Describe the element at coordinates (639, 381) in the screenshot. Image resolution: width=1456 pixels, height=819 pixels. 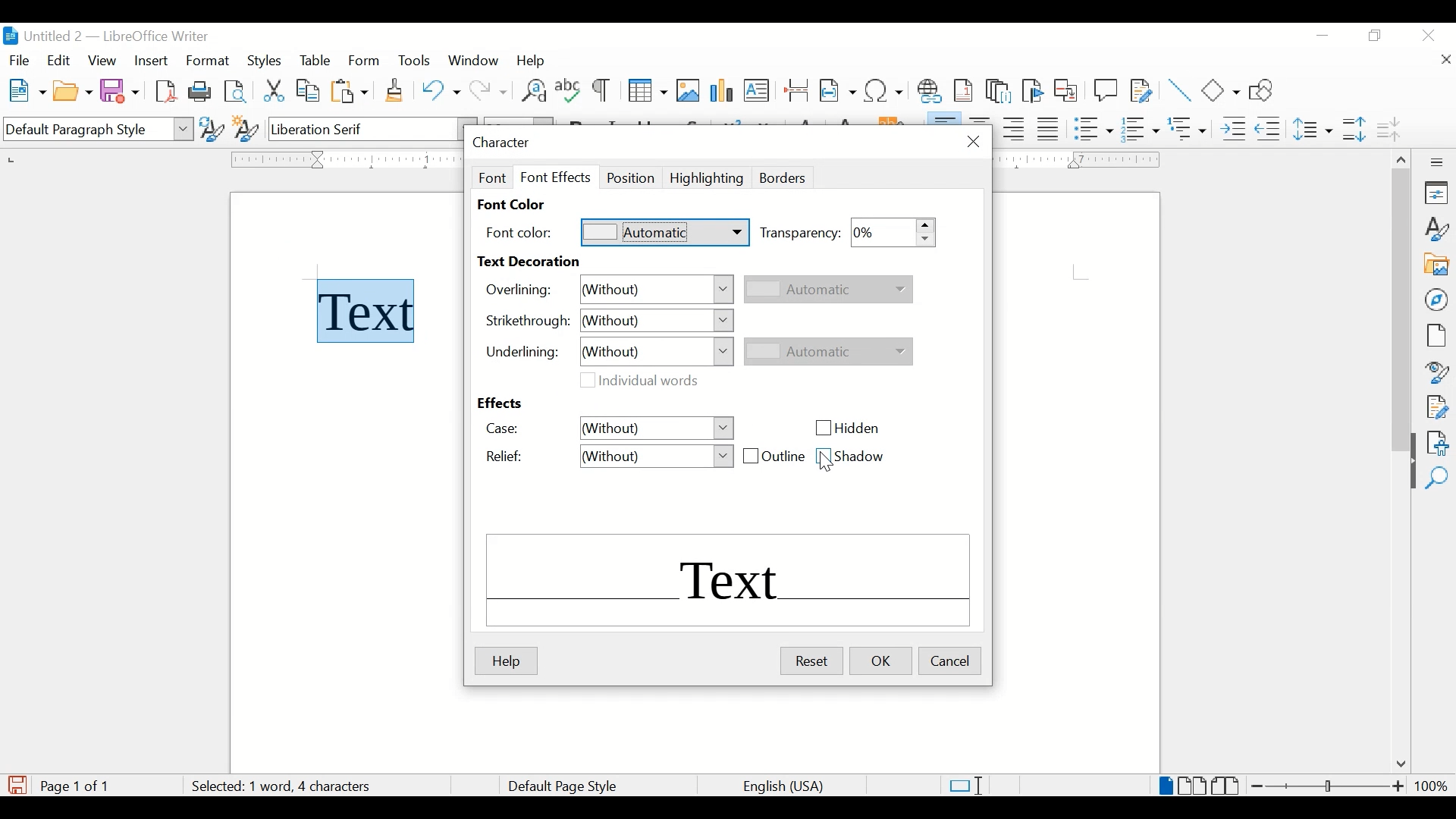
I see `individual words` at that location.